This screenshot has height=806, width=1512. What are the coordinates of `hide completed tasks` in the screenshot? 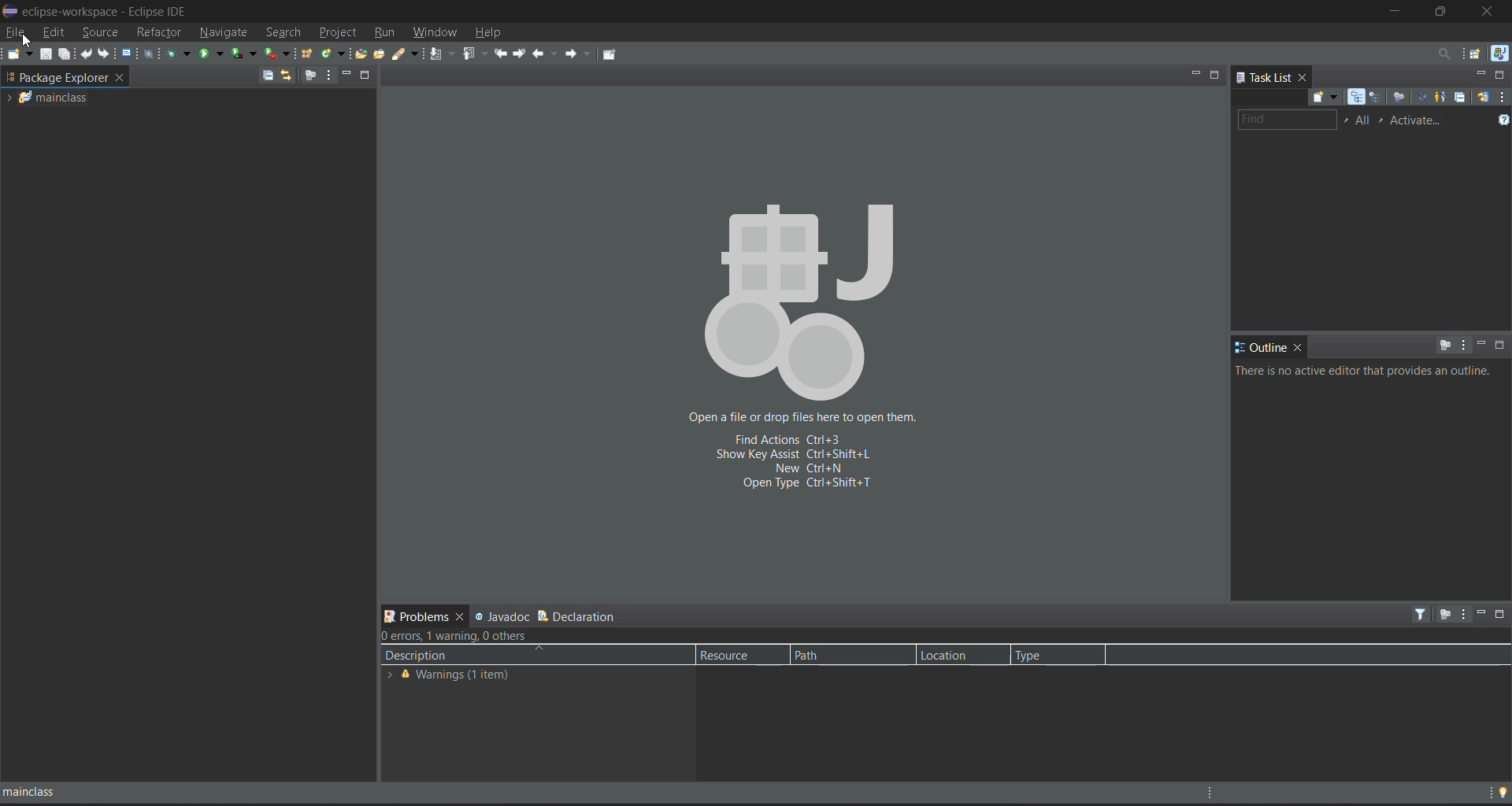 It's located at (1421, 96).